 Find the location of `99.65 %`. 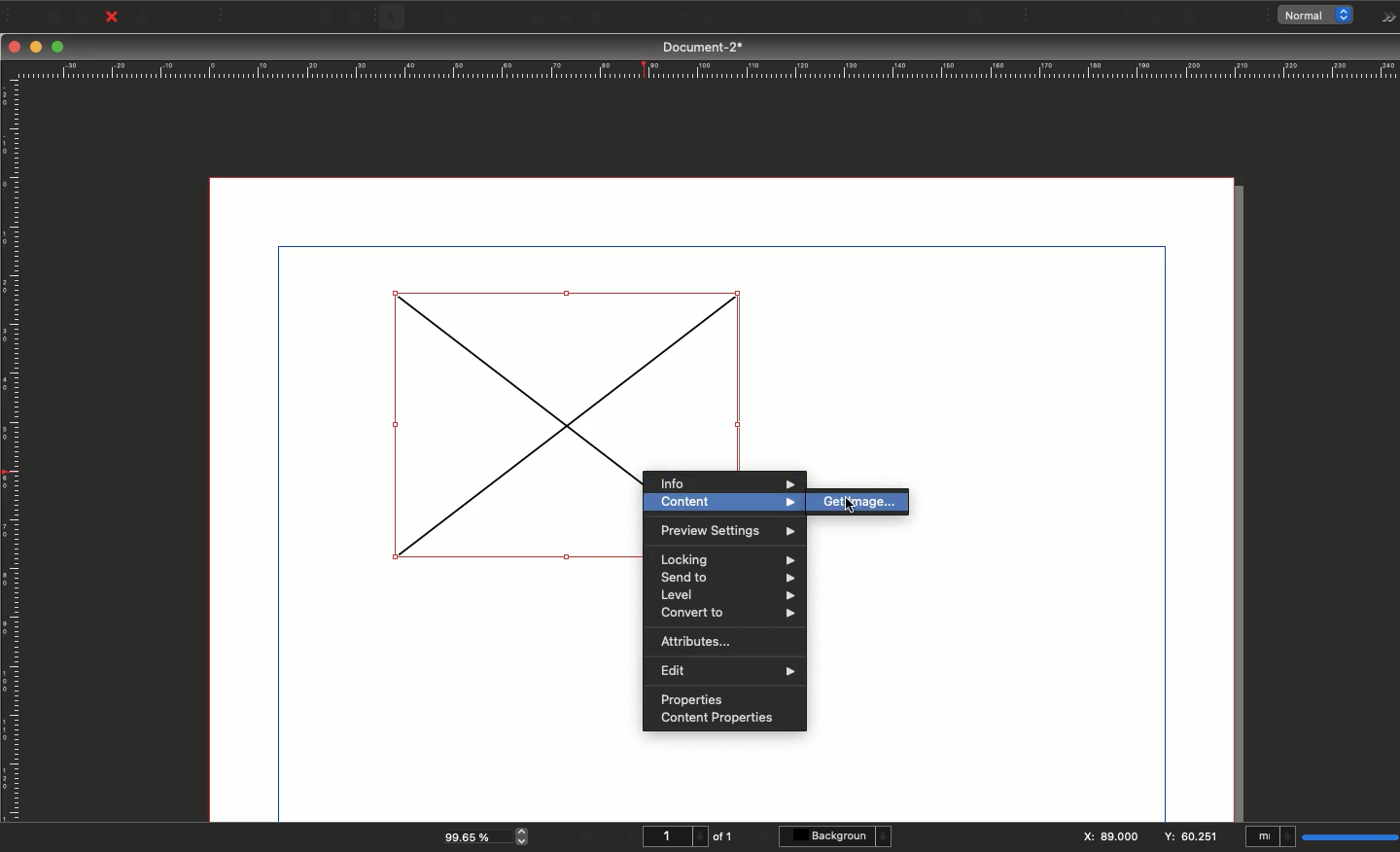

99.65 % is located at coordinates (472, 835).